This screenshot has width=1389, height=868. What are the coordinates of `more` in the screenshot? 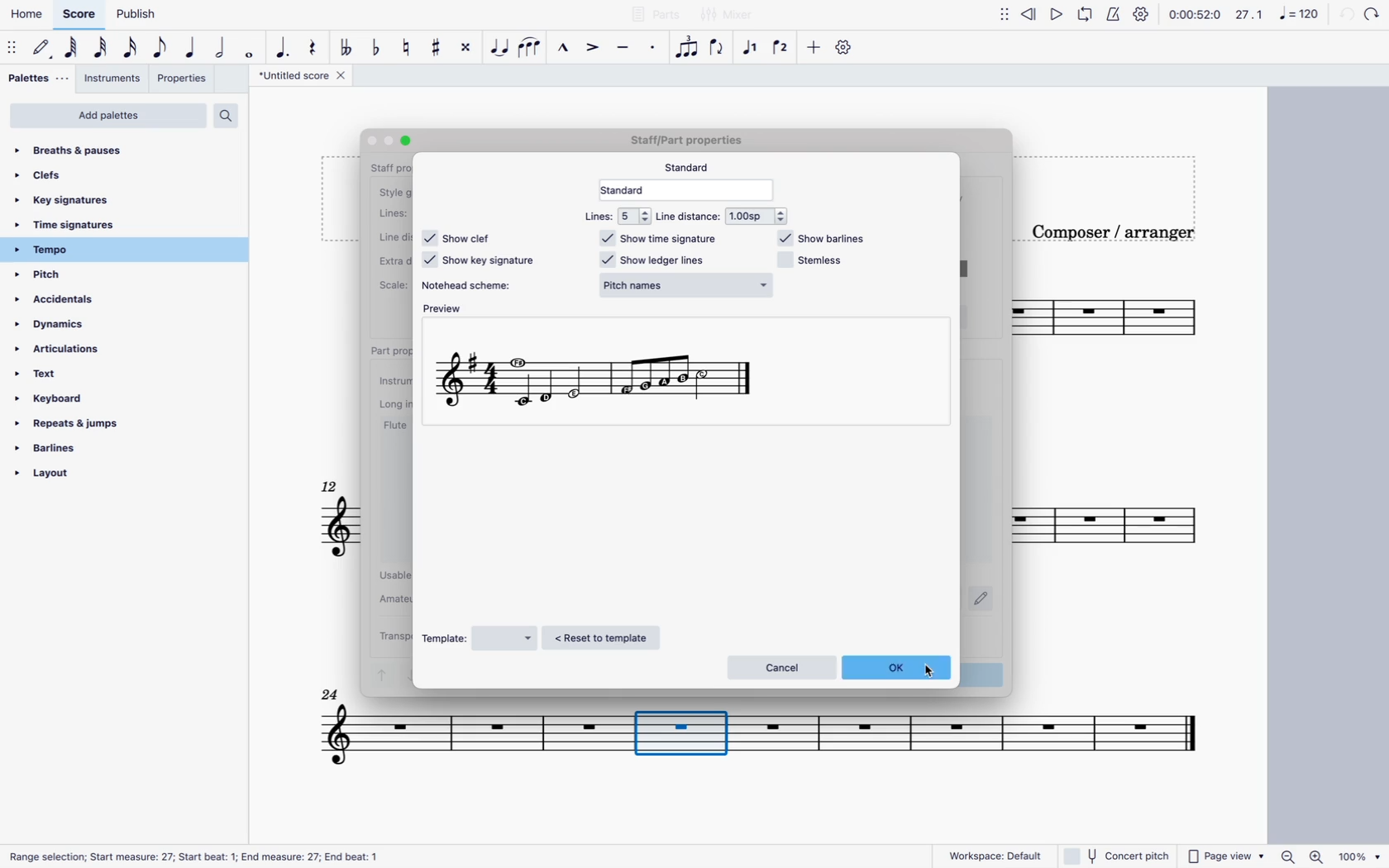 It's located at (814, 46).